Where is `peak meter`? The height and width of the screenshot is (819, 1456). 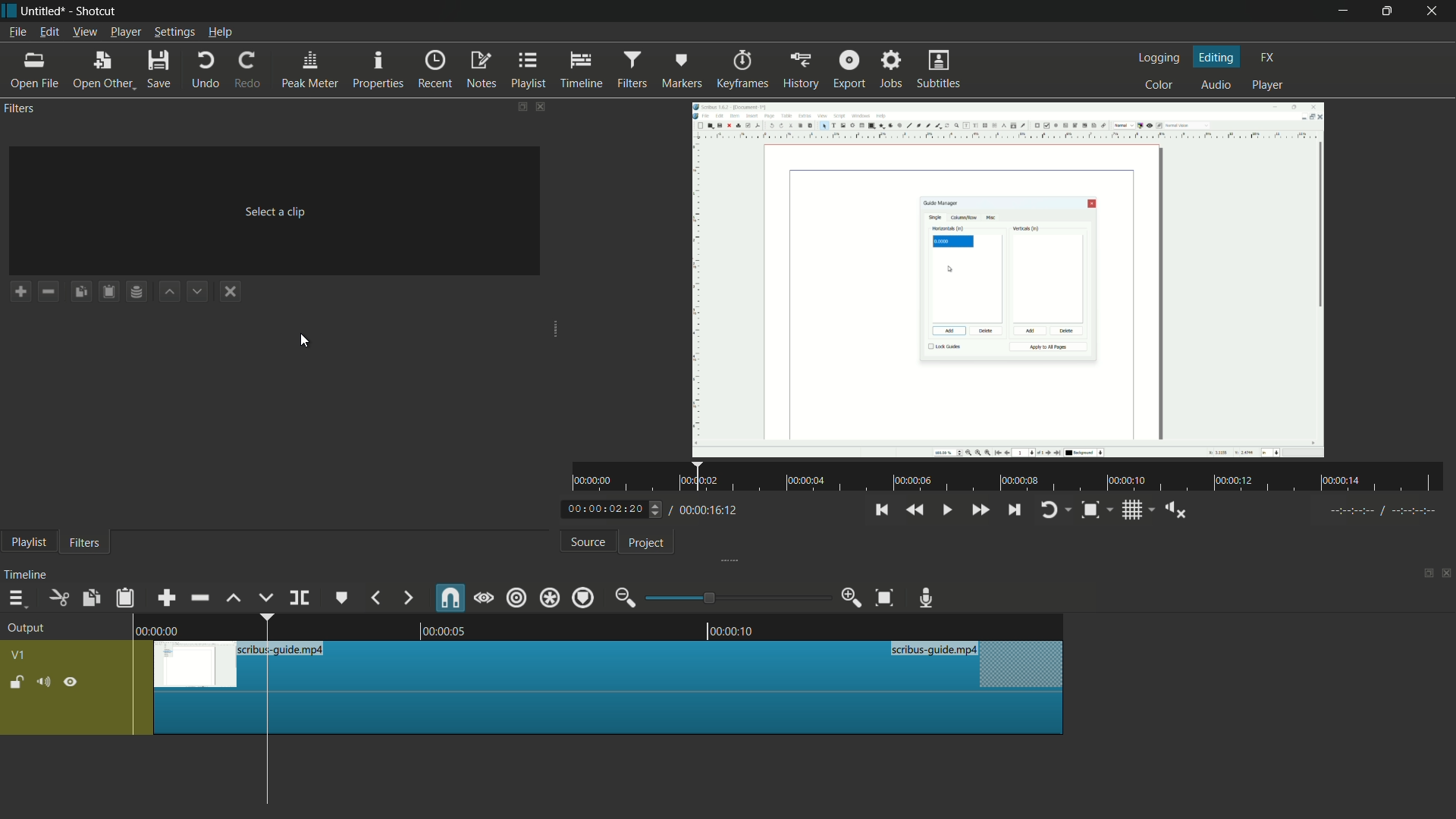 peak meter is located at coordinates (311, 69).